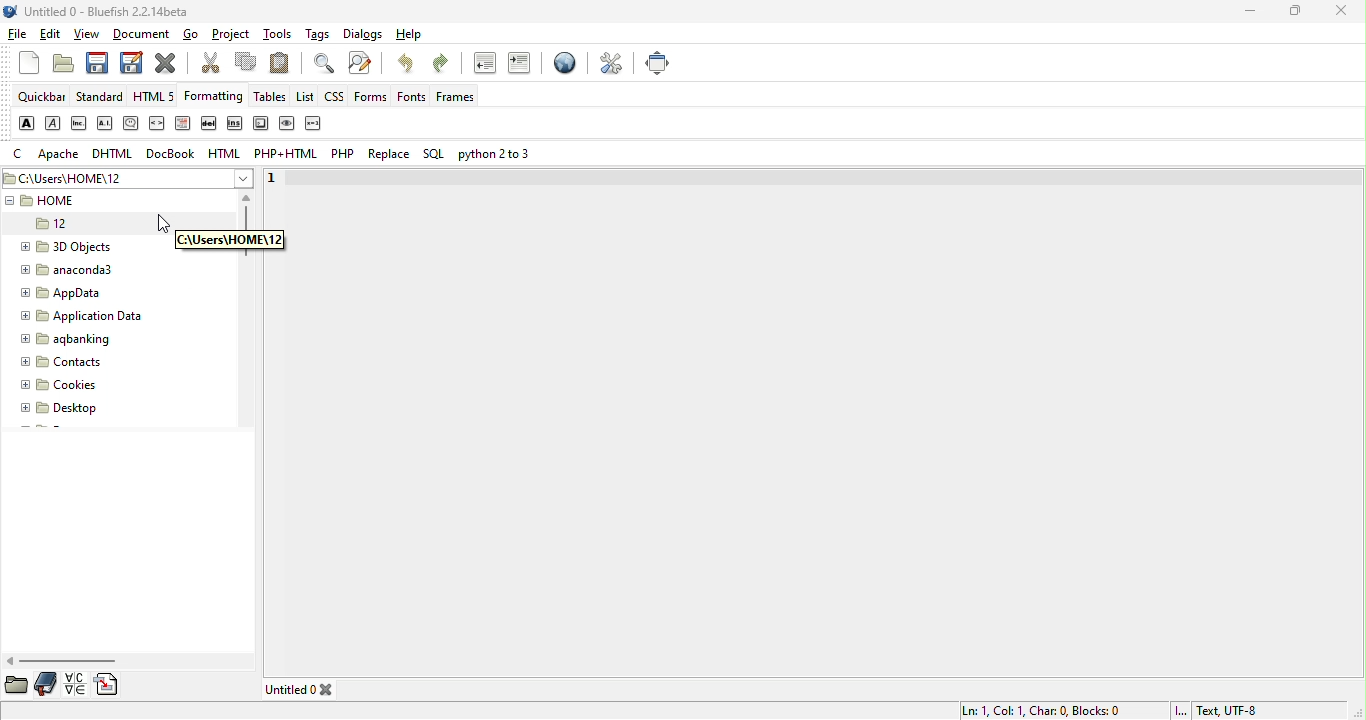  I want to click on appdata, so click(67, 294).